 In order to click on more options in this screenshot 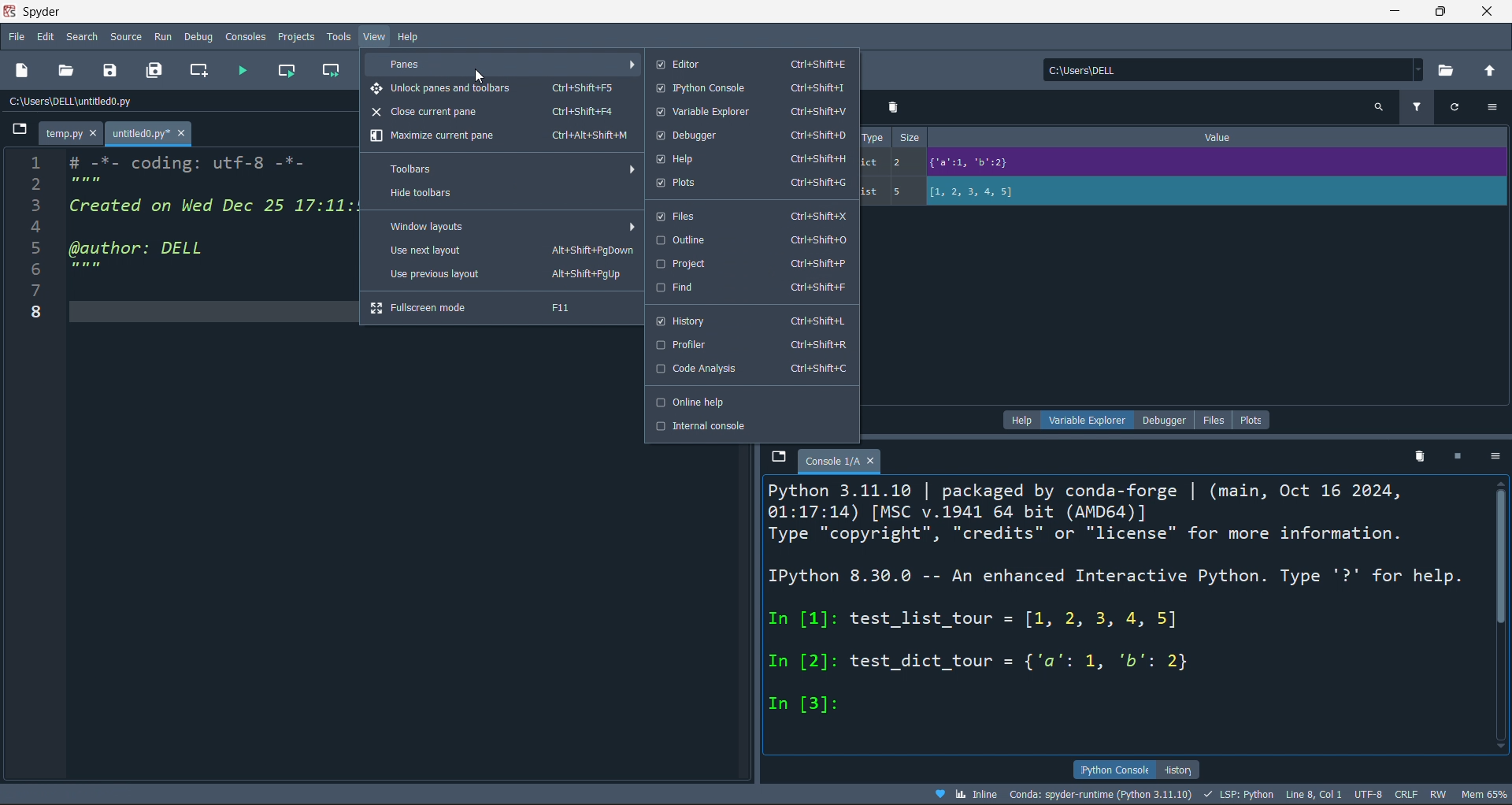, I will do `click(1492, 109)`.